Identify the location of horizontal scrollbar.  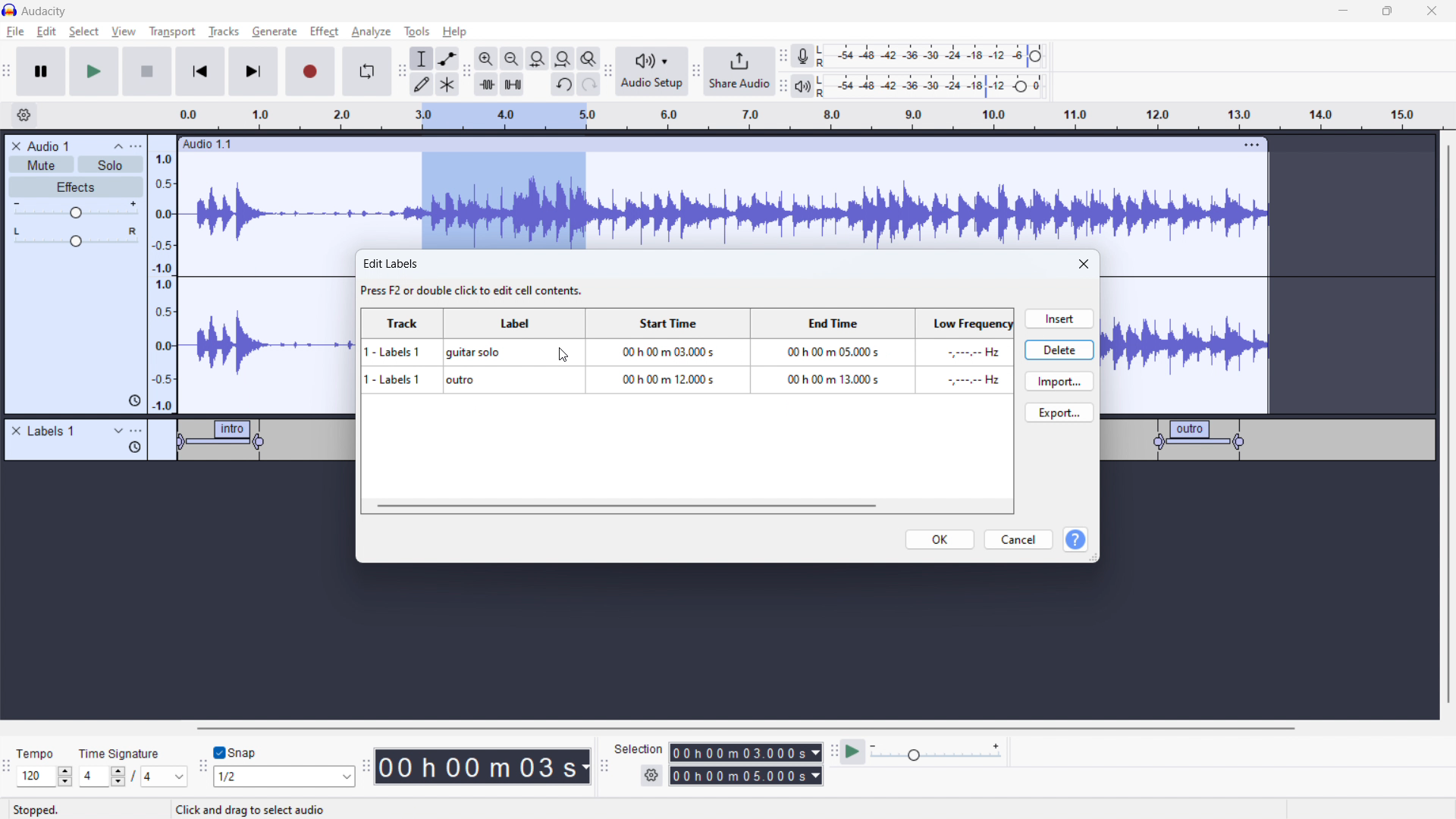
(626, 505).